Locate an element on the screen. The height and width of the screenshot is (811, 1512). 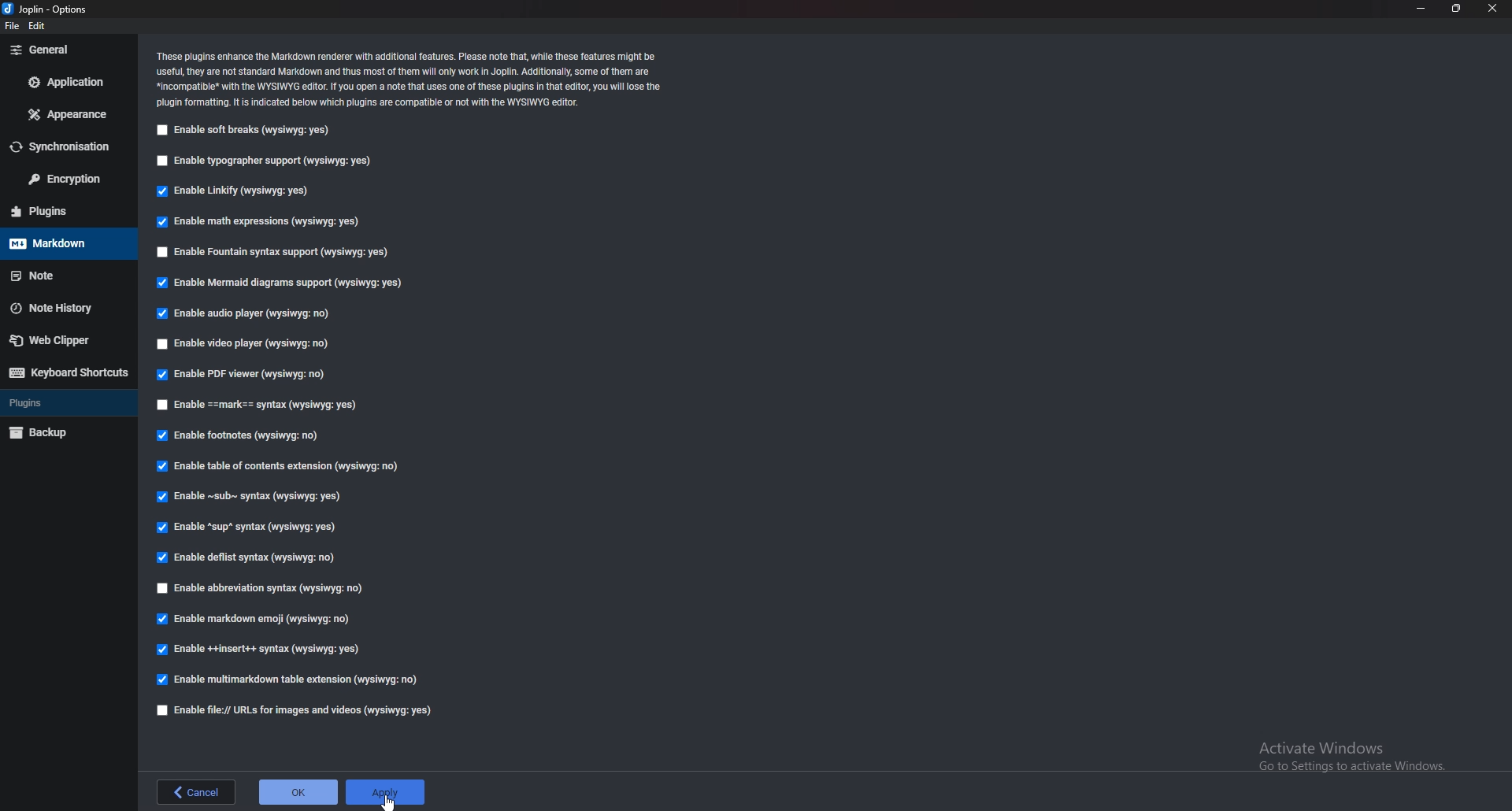
Minimize is located at coordinates (1423, 9).